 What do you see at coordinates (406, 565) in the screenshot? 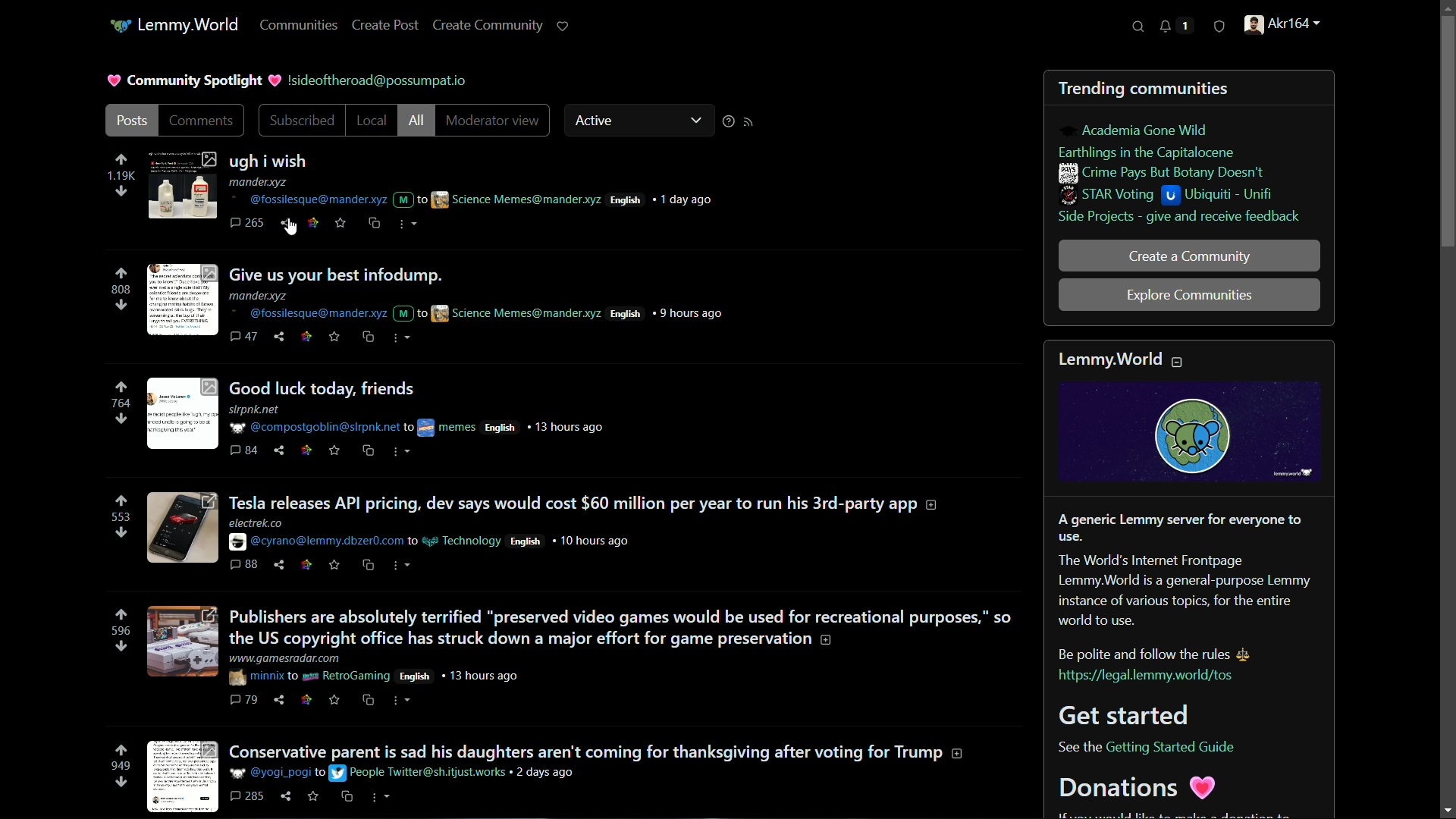
I see `more actions` at bounding box center [406, 565].